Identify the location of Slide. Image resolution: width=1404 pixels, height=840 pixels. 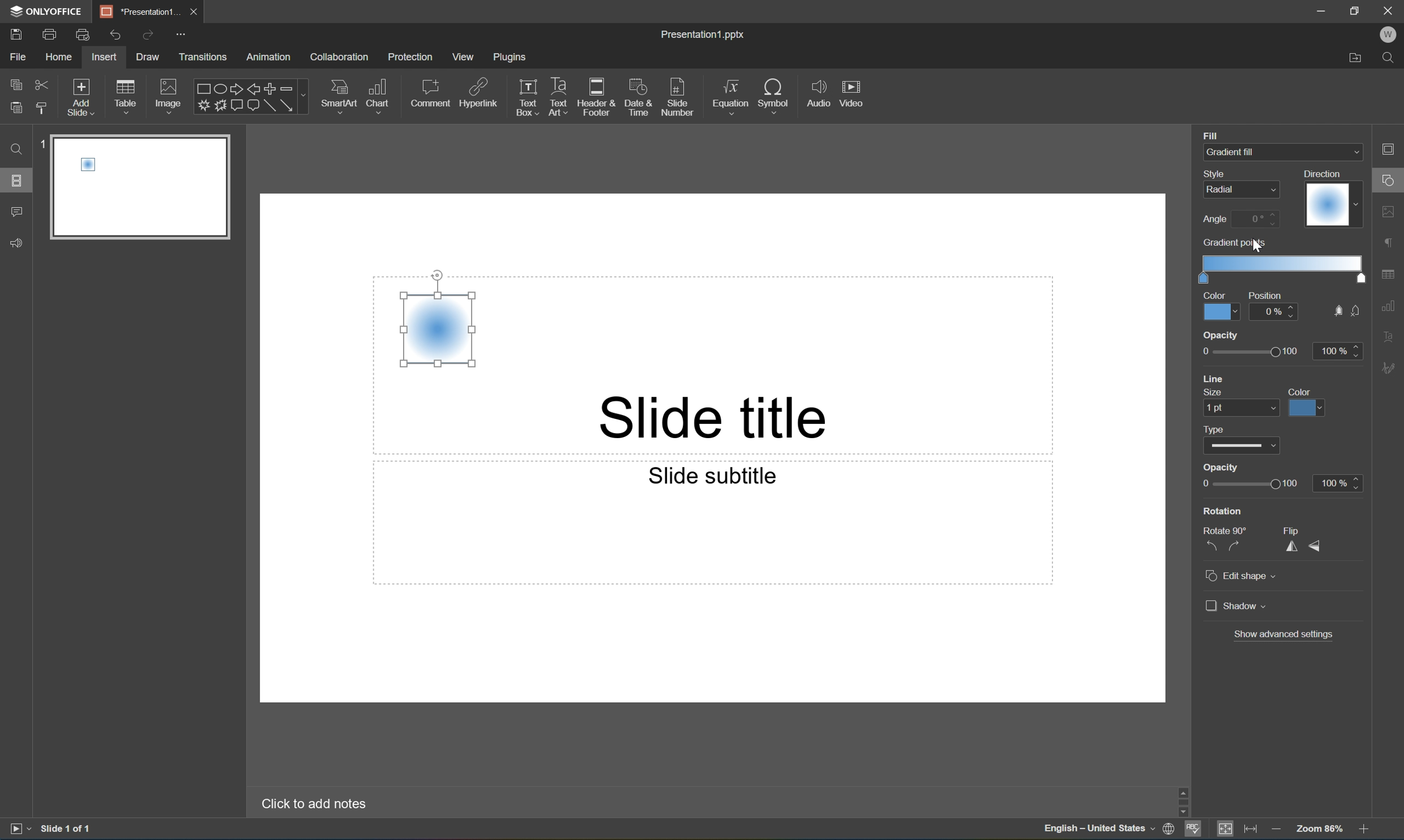
(144, 186).